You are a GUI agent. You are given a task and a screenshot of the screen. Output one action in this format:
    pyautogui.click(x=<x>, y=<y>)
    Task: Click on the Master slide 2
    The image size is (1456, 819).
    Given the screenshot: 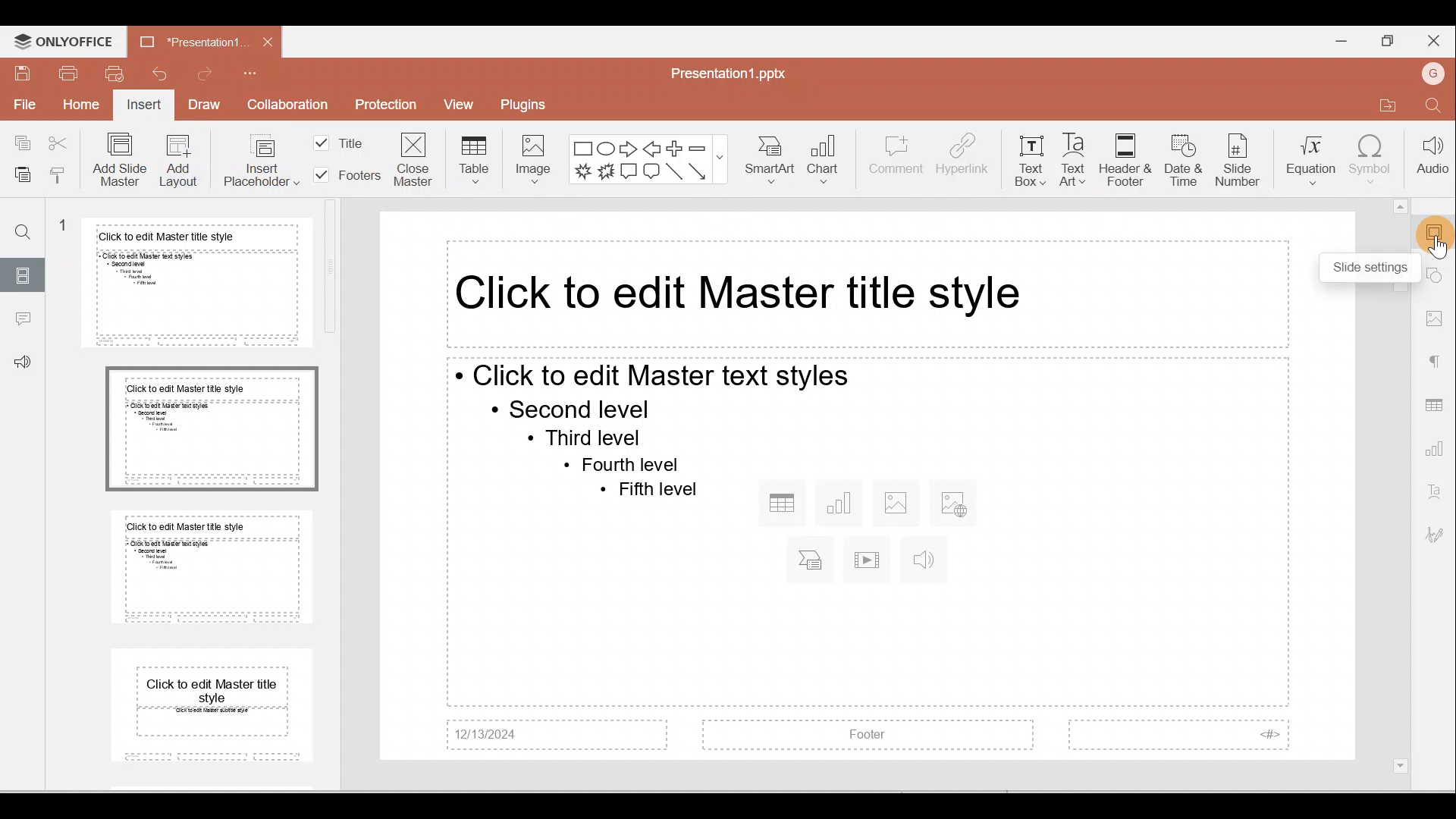 What is the action you would take?
    pyautogui.click(x=213, y=428)
    